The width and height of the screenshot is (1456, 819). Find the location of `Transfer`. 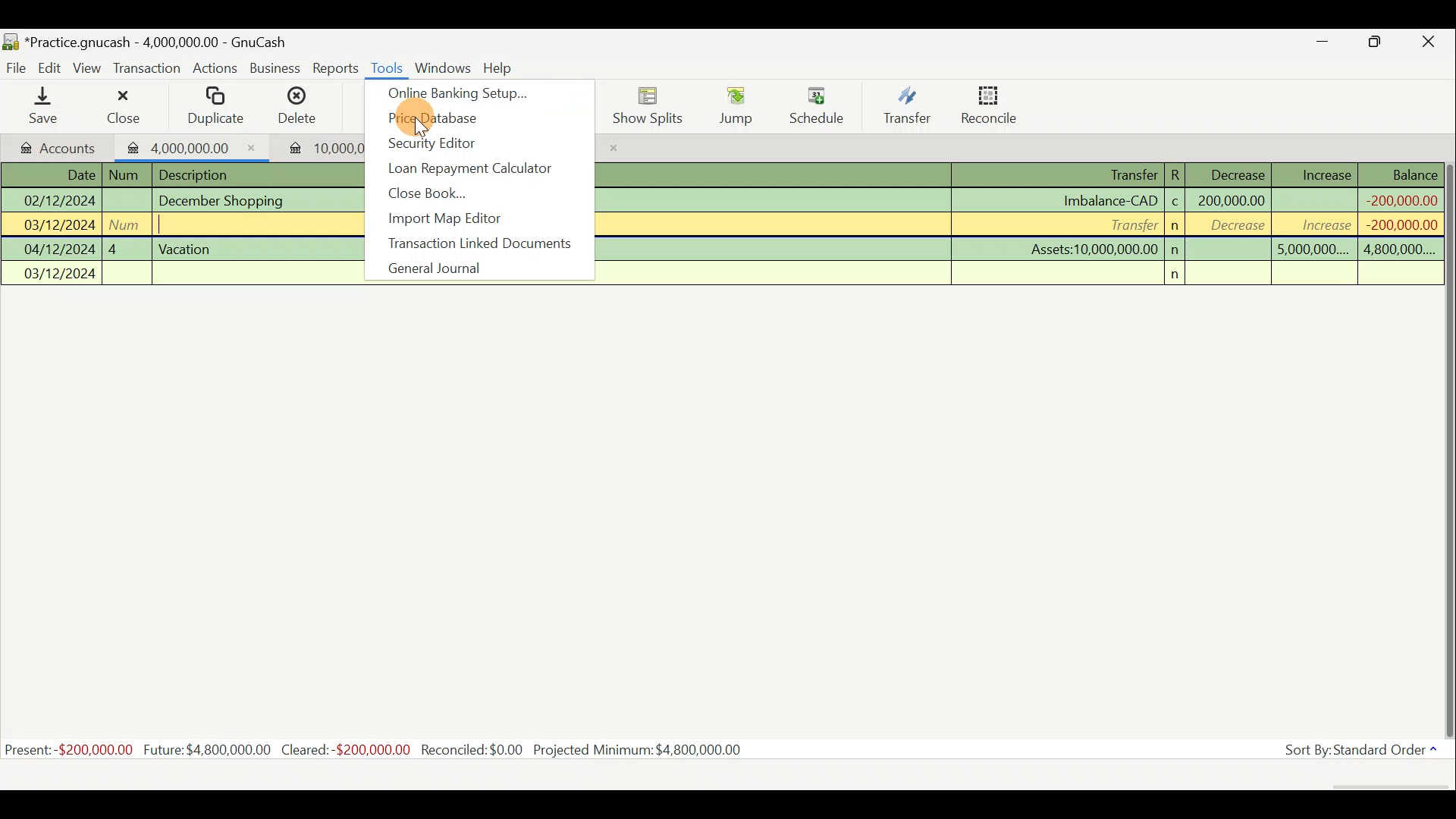

Transfer is located at coordinates (1129, 224).